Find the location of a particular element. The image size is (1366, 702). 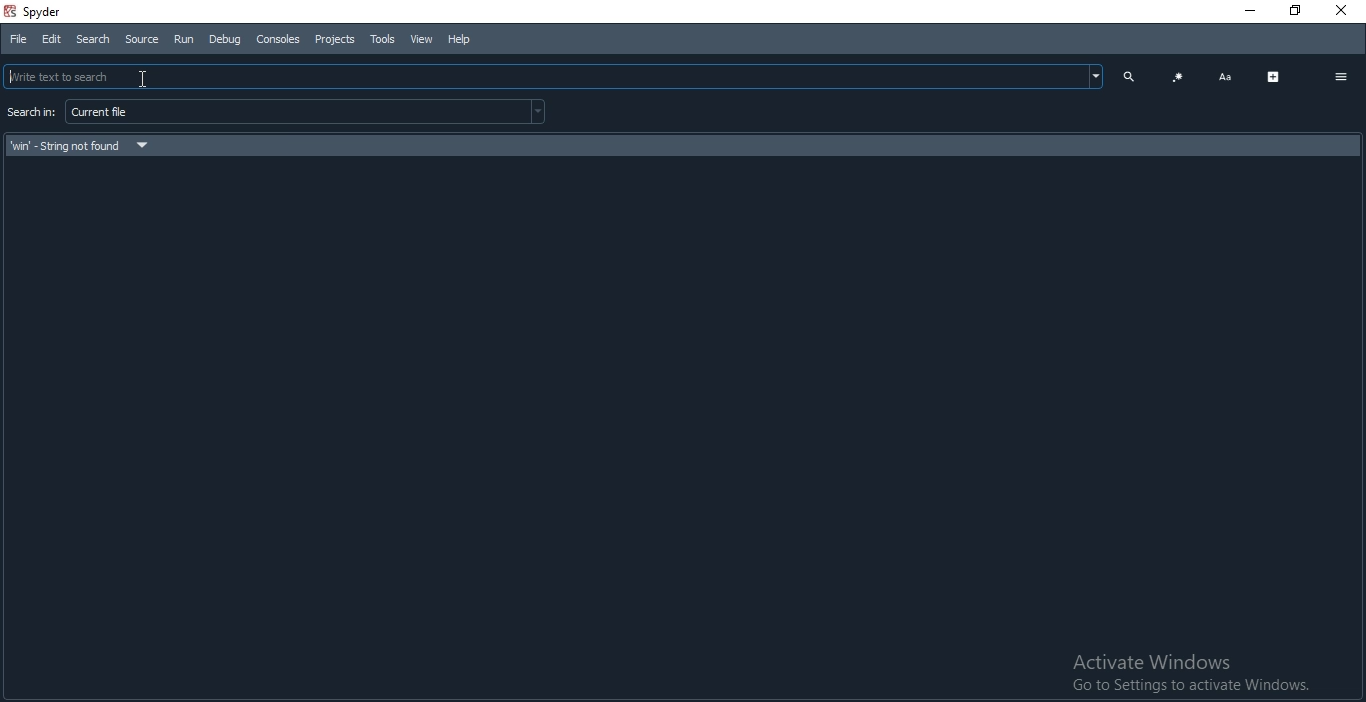

Consoles is located at coordinates (278, 39).